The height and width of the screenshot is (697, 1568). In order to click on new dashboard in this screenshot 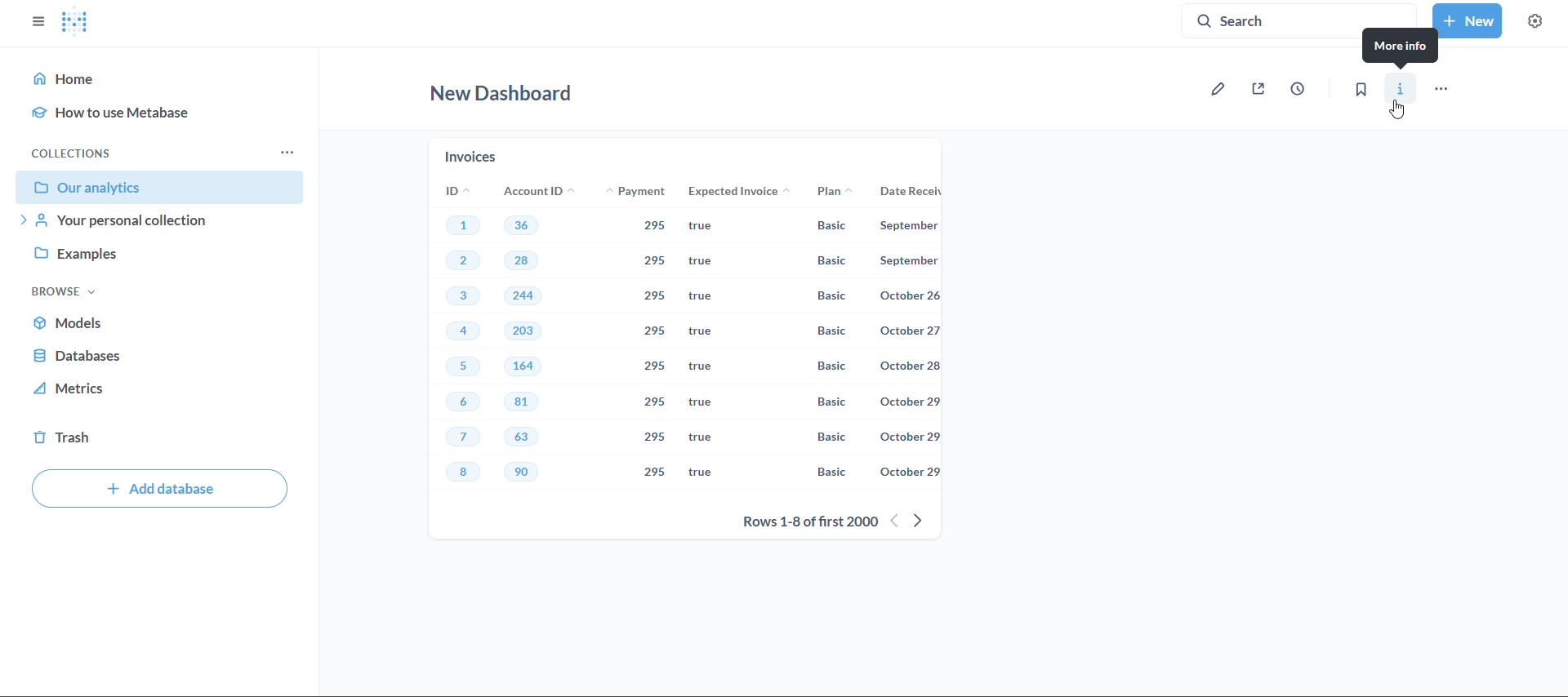, I will do `click(506, 98)`.